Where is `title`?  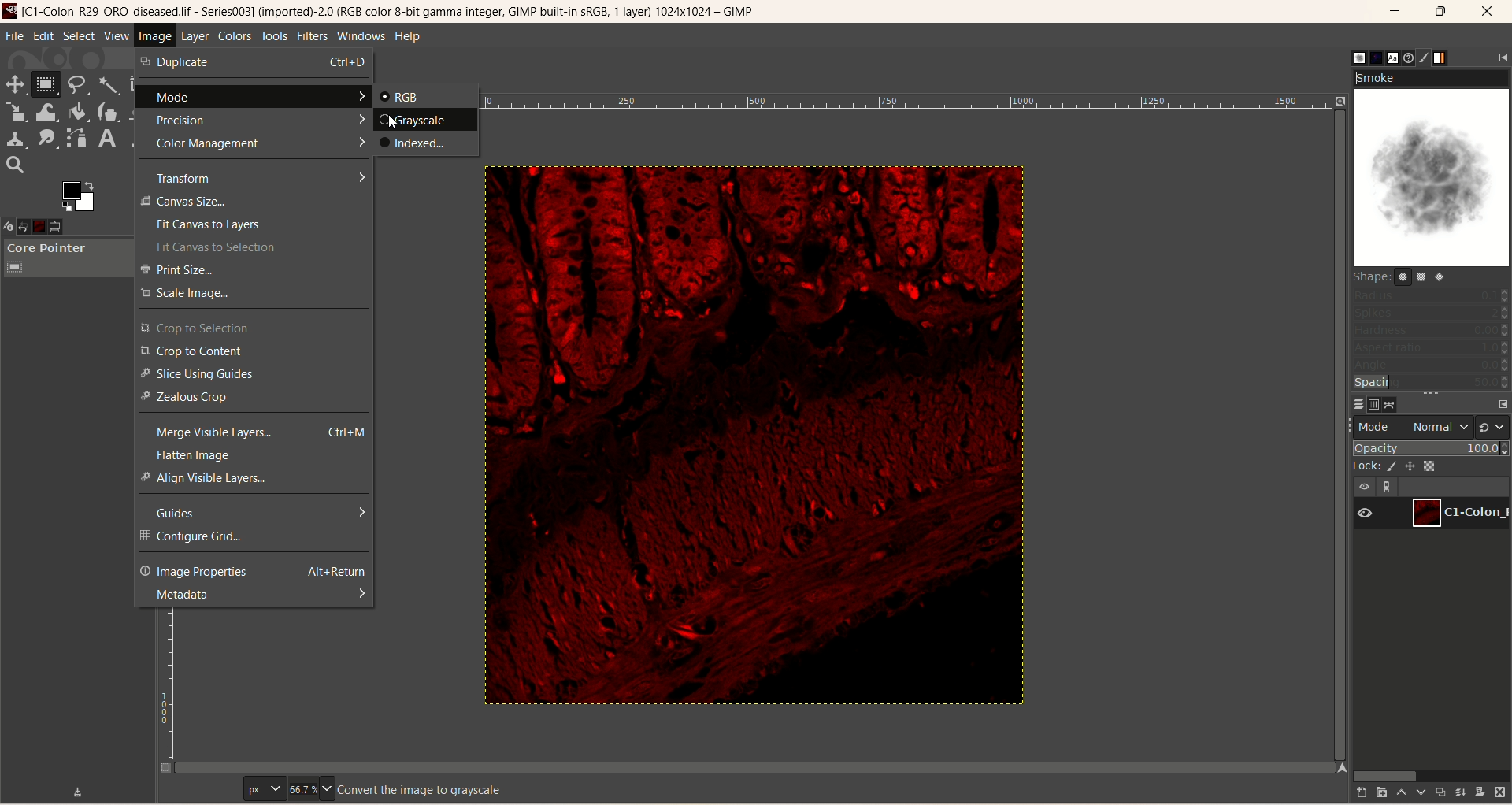 title is located at coordinates (388, 12).